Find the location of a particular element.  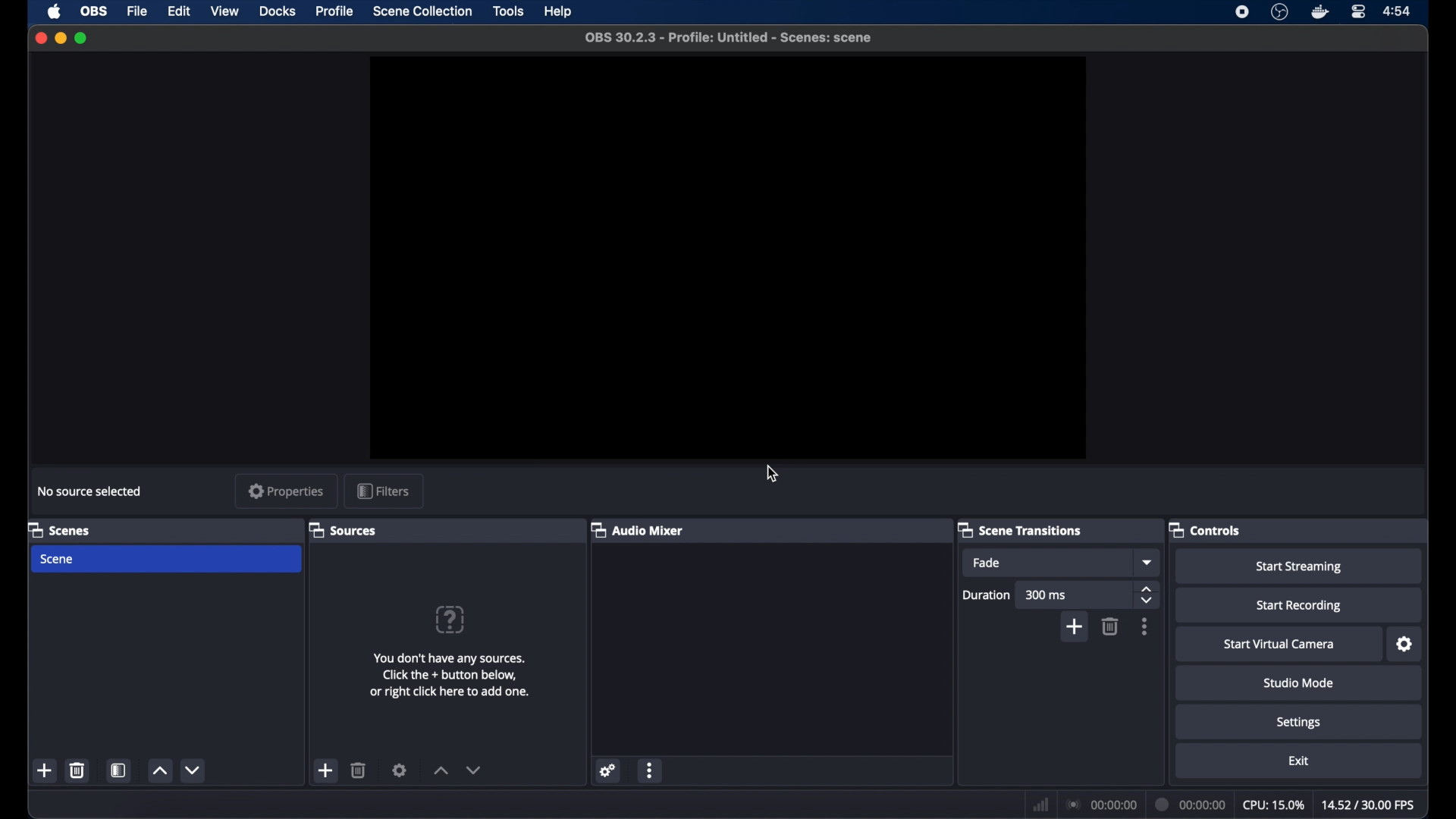

audio mixer is located at coordinates (642, 529).